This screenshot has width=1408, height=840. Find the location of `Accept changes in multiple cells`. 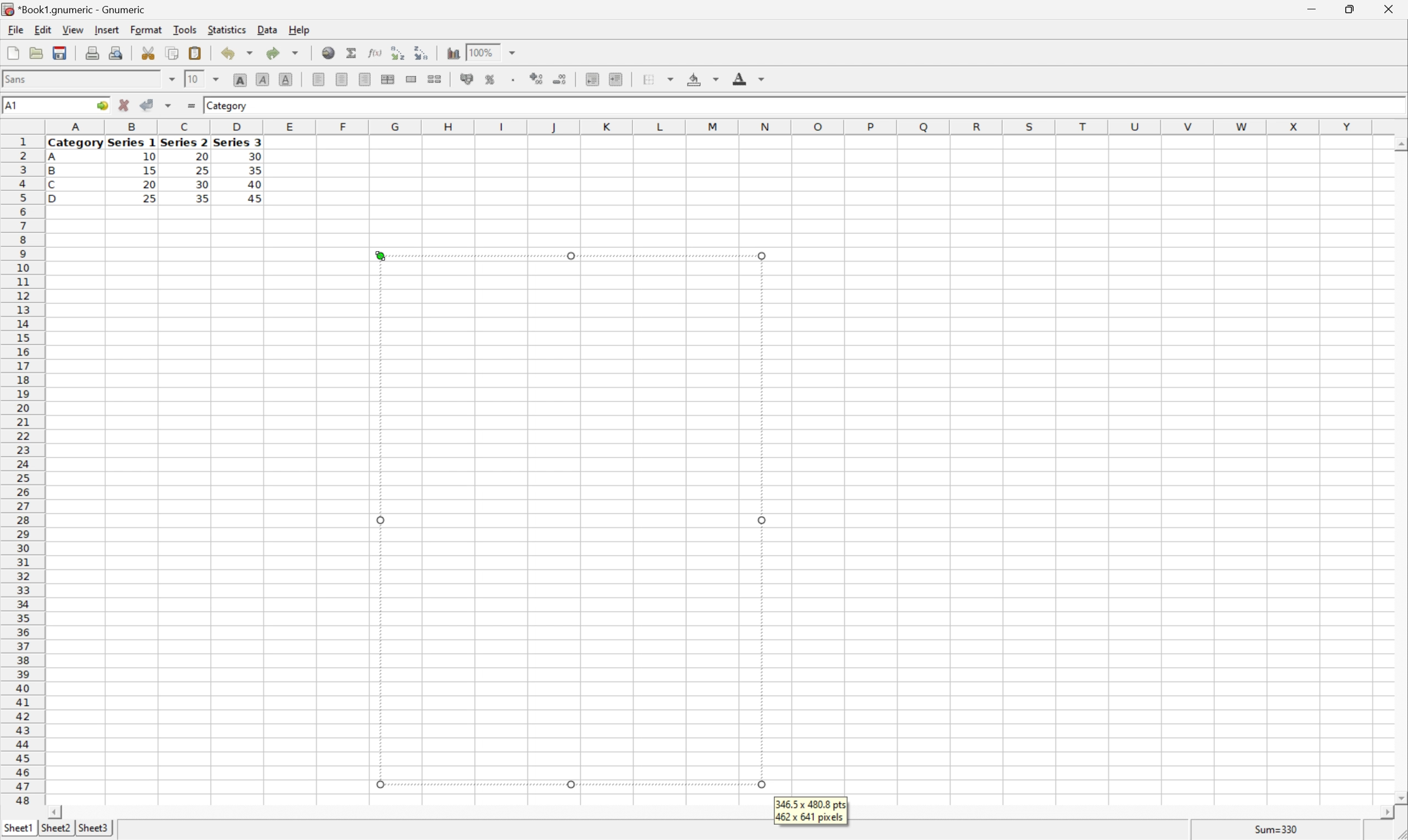

Accept changes in multiple cells is located at coordinates (168, 105).